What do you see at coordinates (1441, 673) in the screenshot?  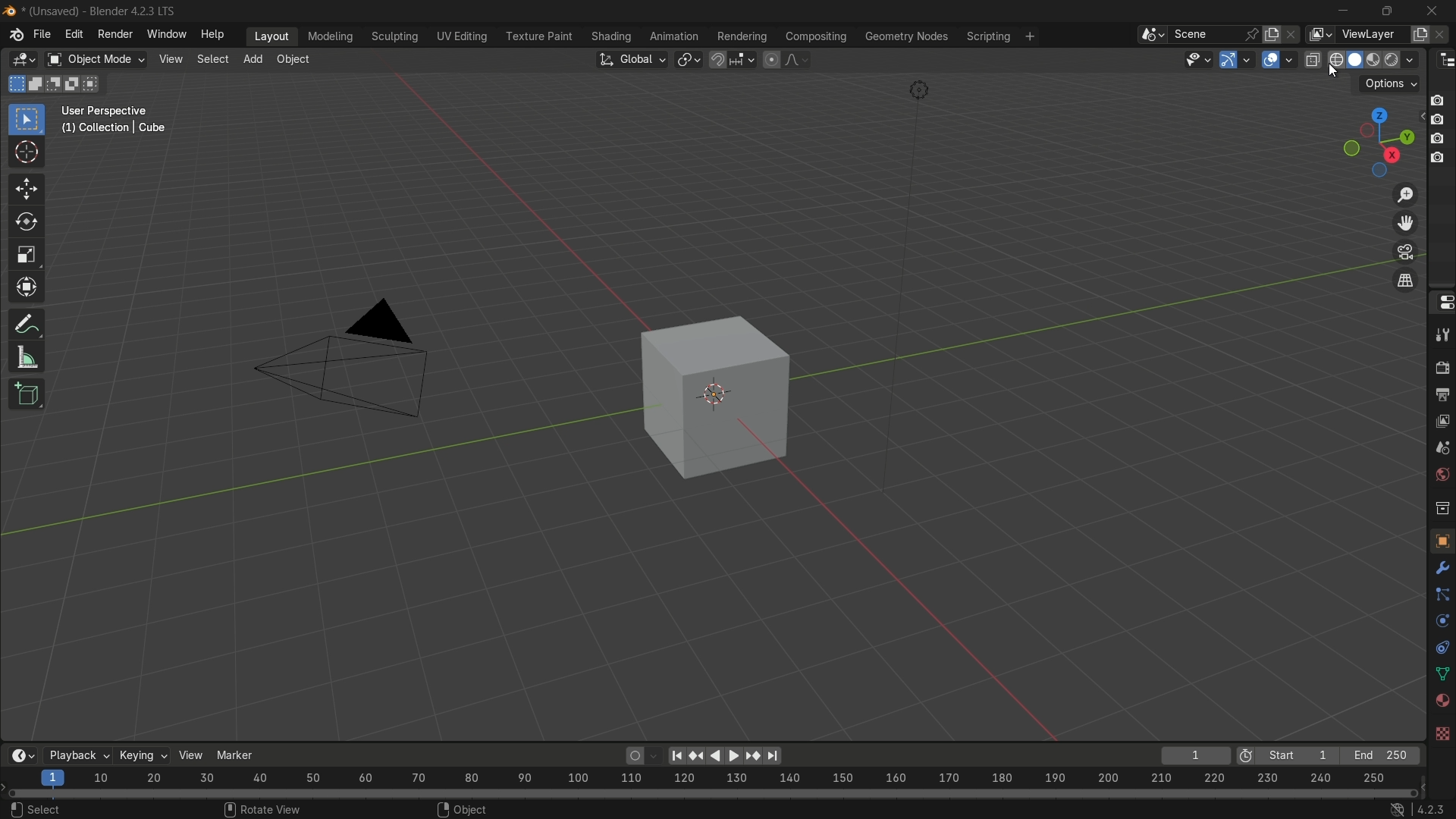 I see `data` at bounding box center [1441, 673].